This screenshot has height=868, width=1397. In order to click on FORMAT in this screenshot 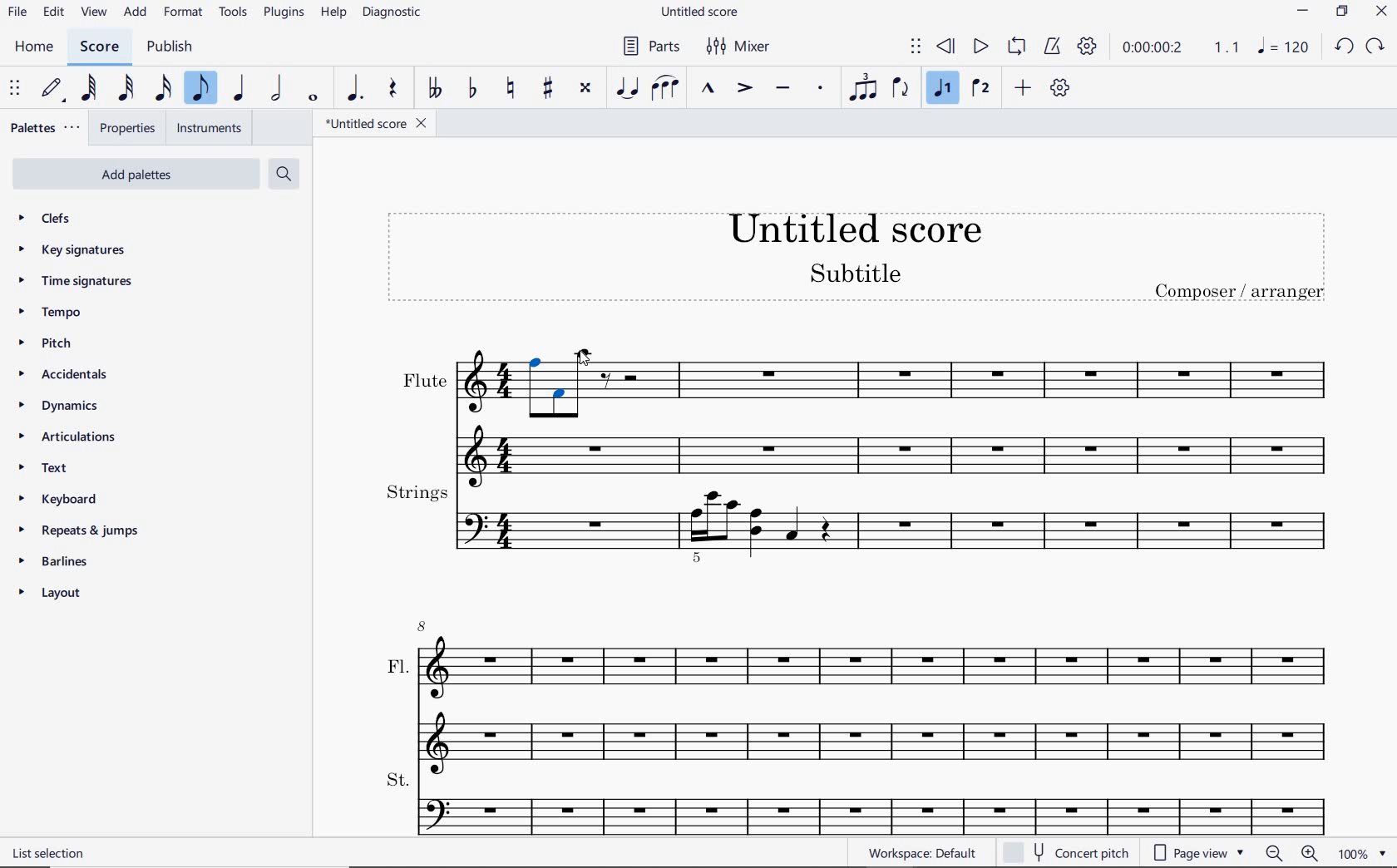, I will do `click(186, 14)`.